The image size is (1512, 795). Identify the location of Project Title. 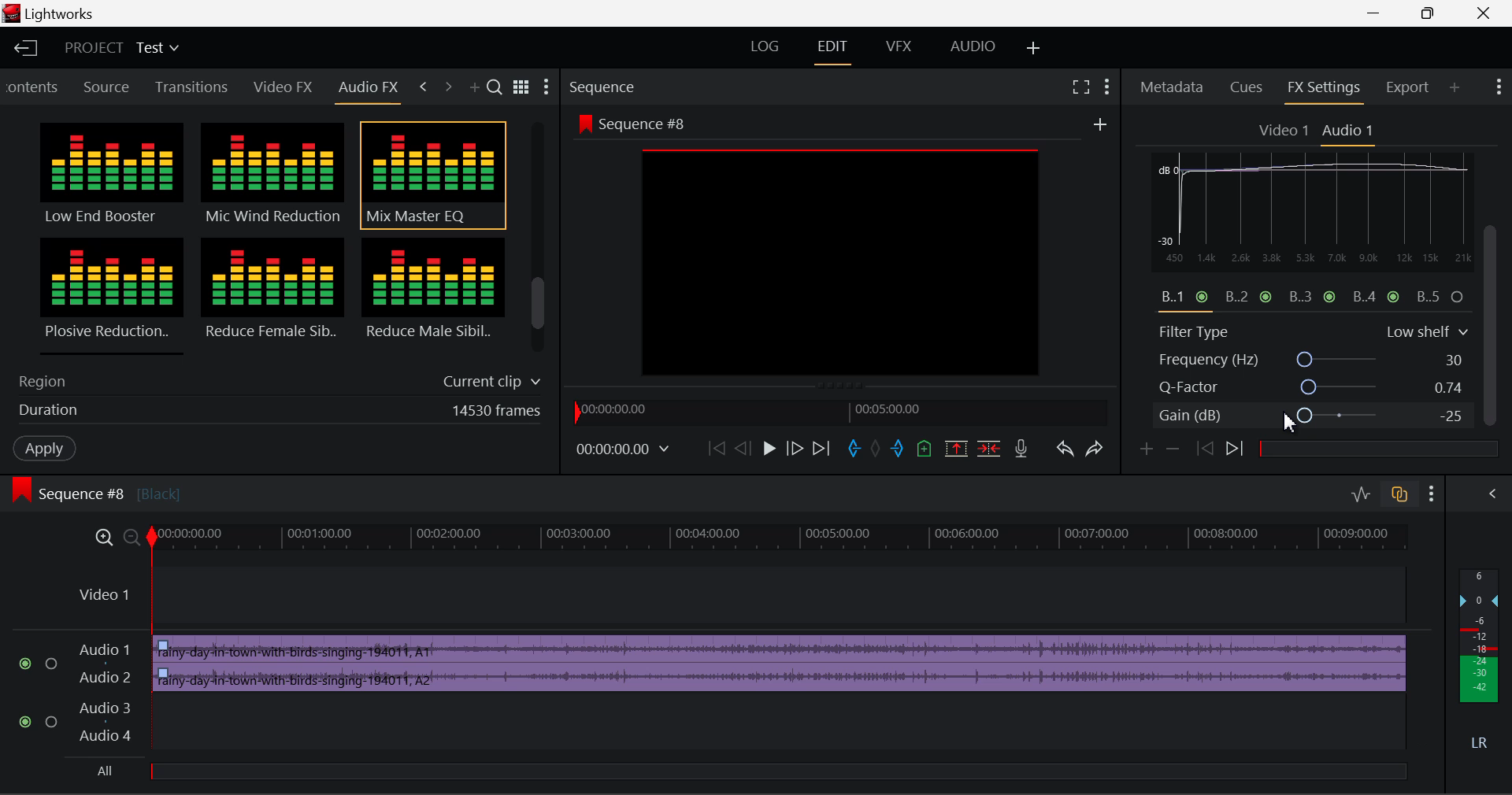
(120, 47).